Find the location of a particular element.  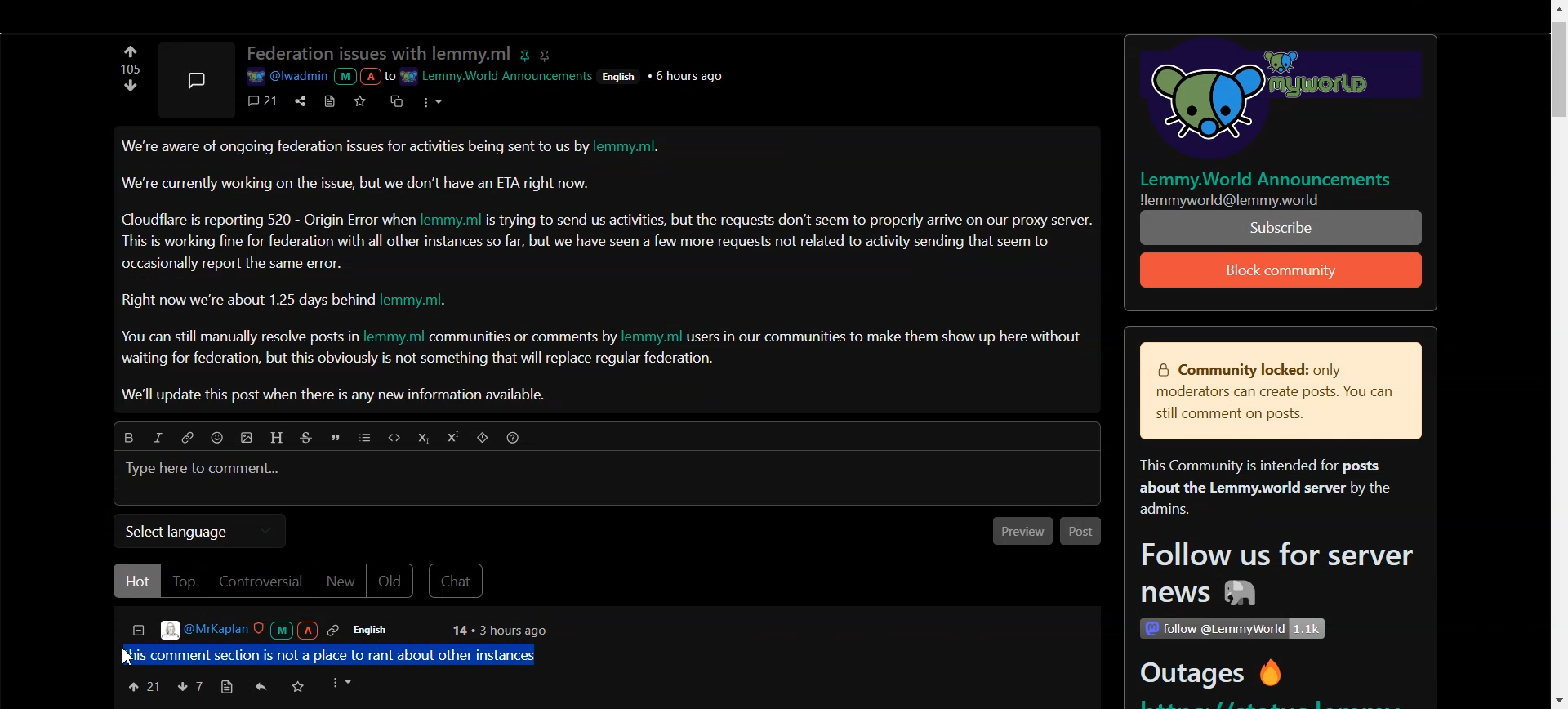

Superscript is located at coordinates (456, 438).